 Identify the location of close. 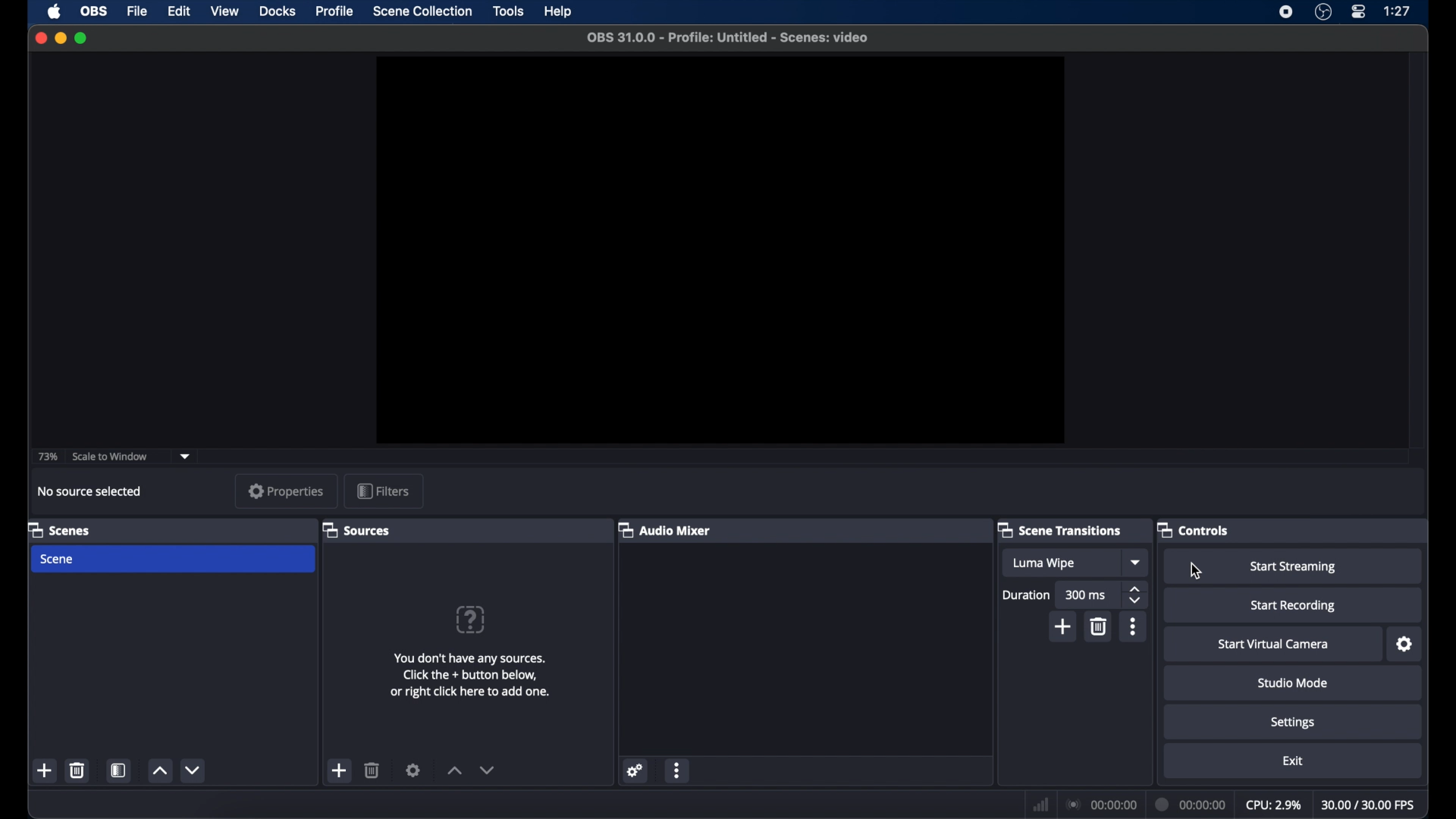
(41, 38).